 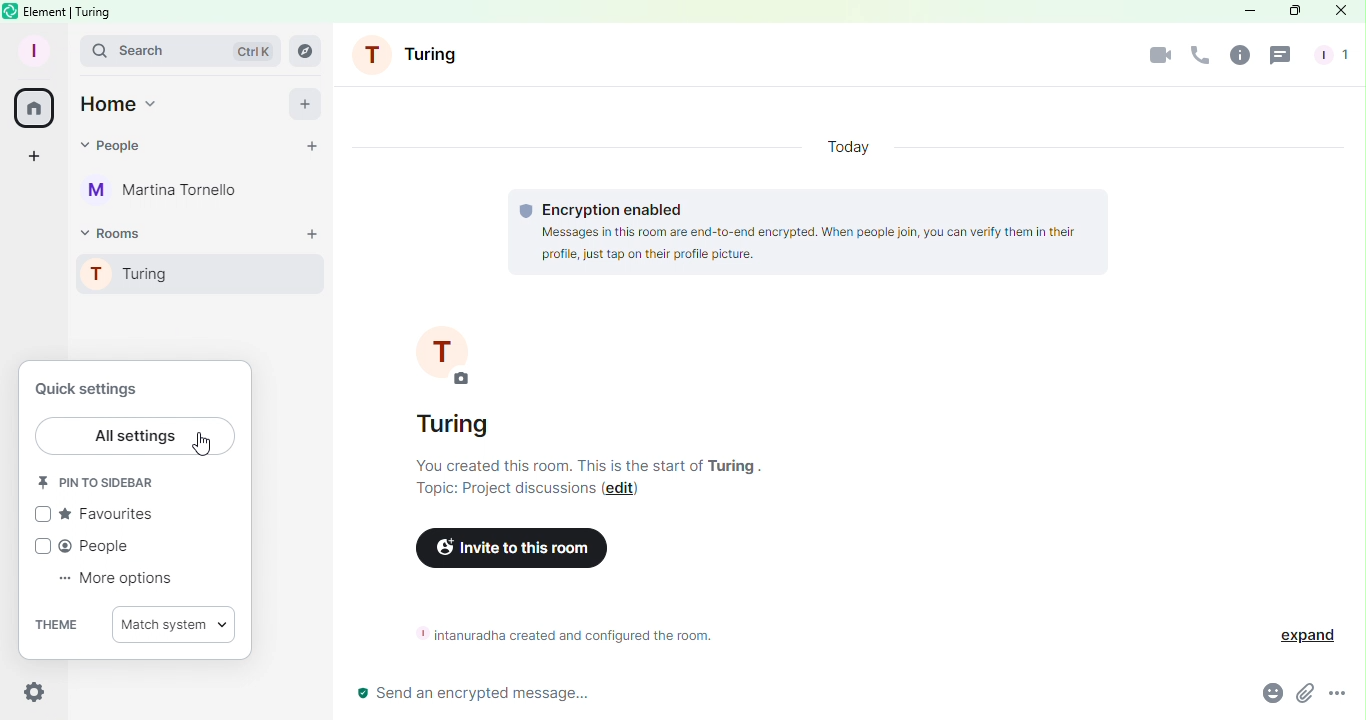 I want to click on element | turing, so click(x=68, y=11).